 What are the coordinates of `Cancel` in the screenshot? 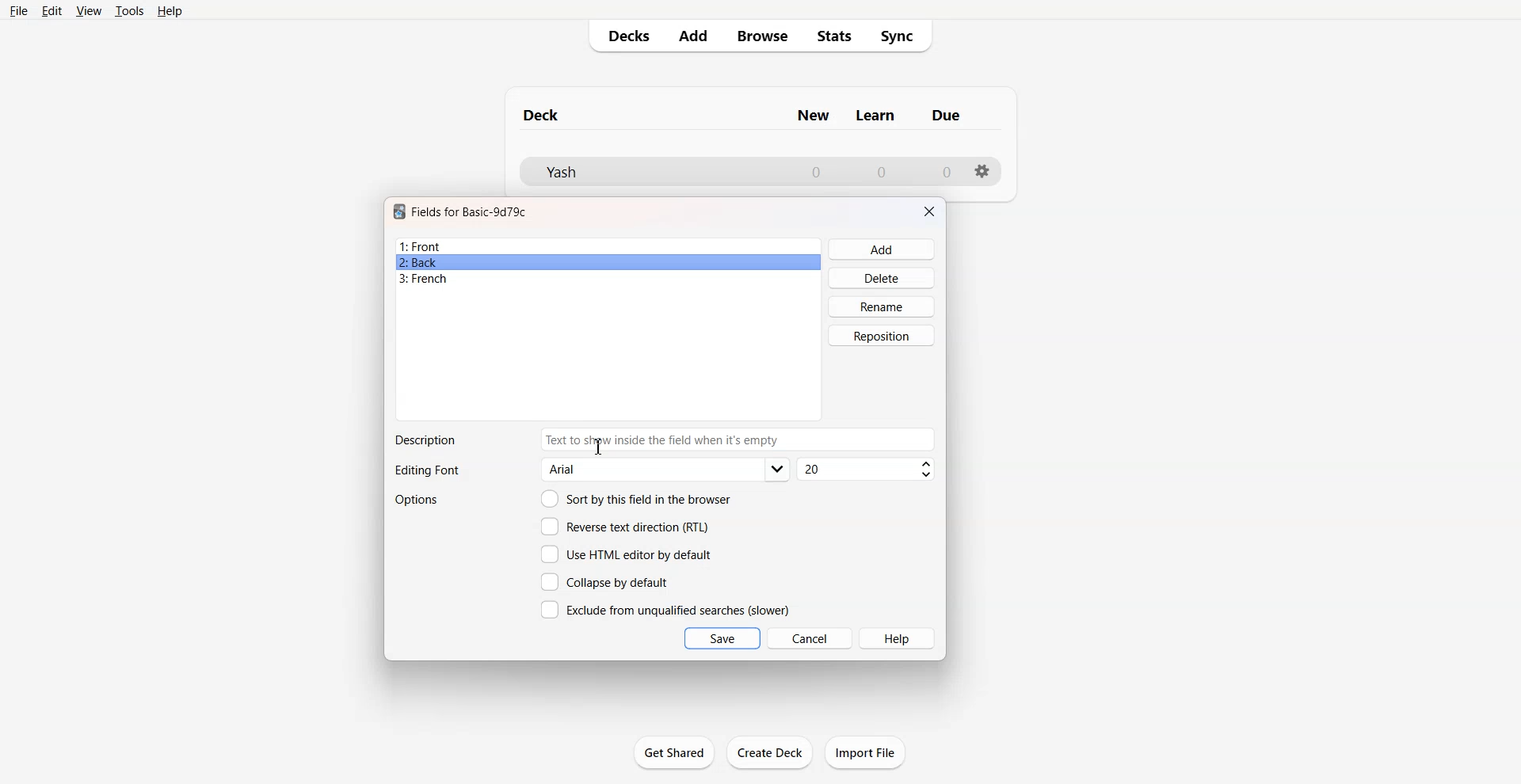 It's located at (810, 637).